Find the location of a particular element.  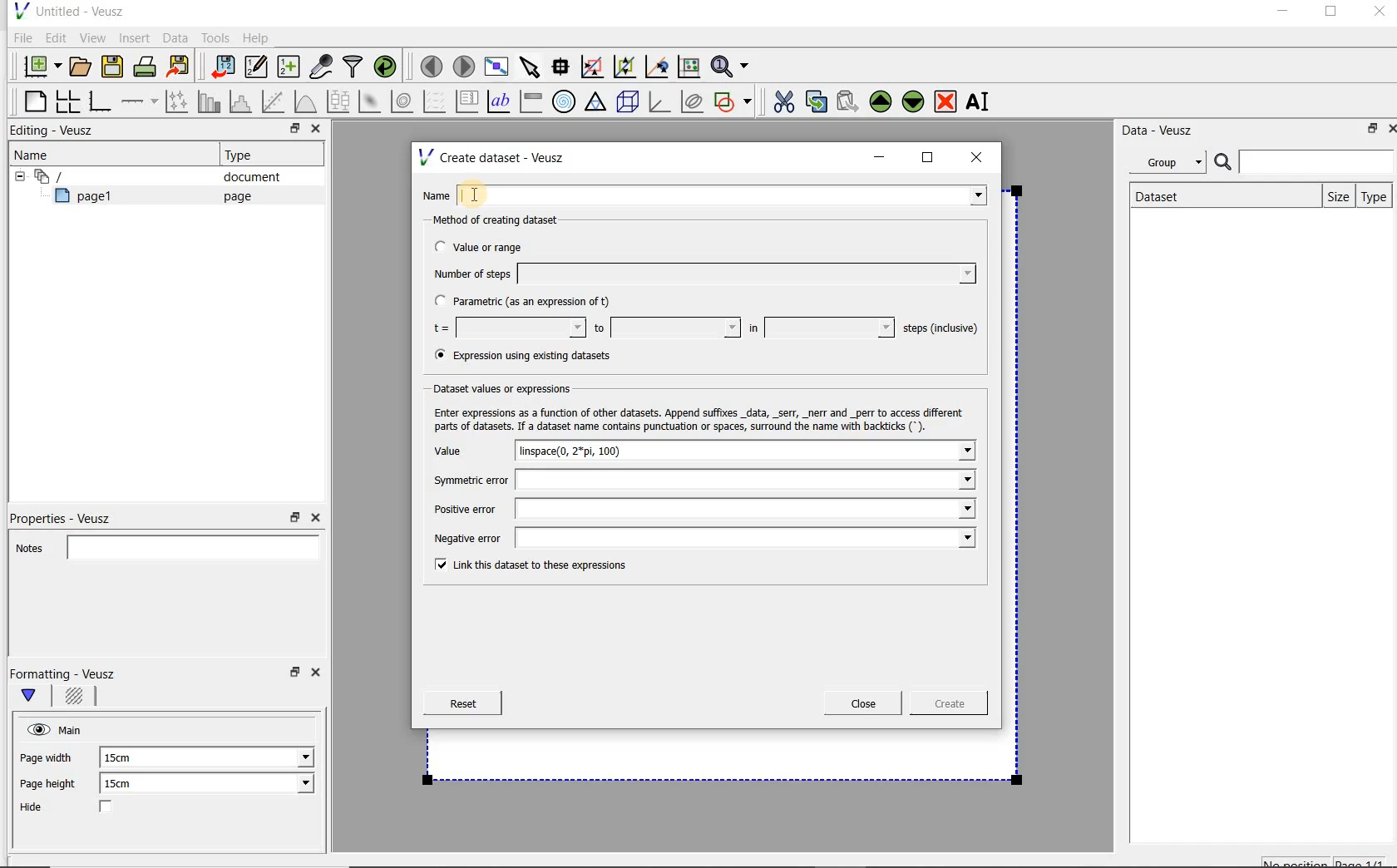

Search bar is located at coordinates (1305, 160).